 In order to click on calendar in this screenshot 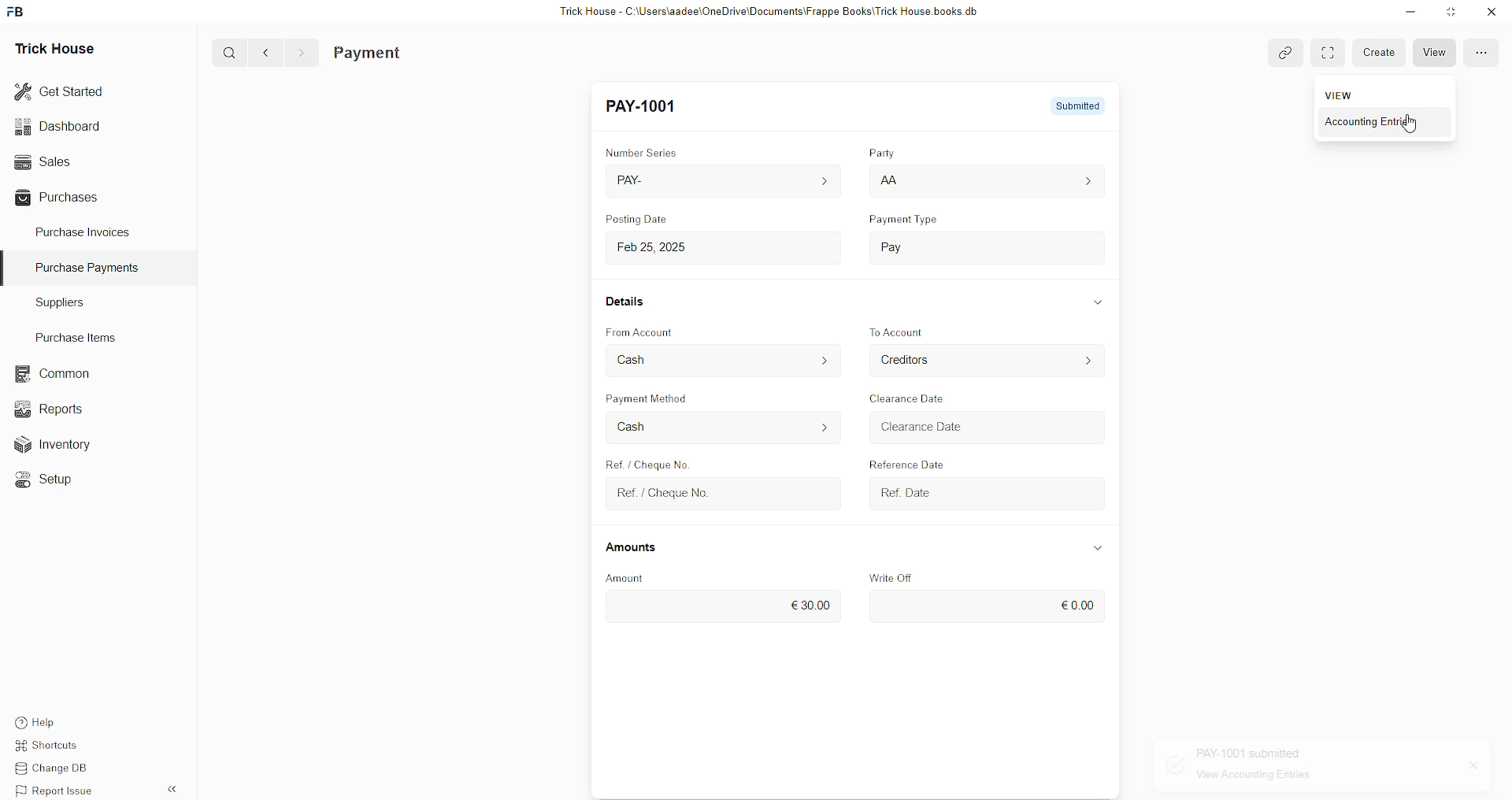, I will do `click(1084, 491)`.